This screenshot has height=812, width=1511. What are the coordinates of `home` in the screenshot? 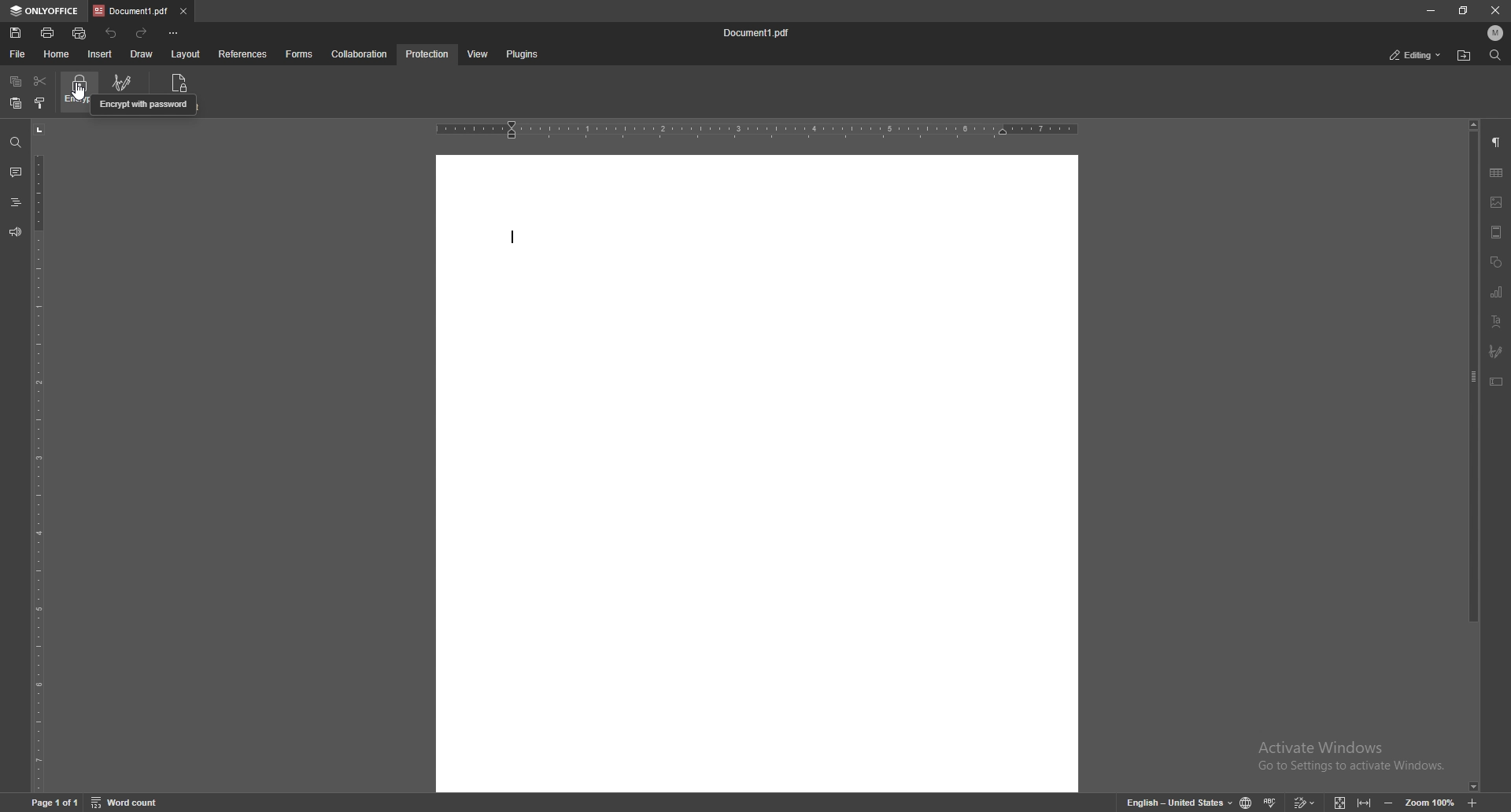 It's located at (56, 54).